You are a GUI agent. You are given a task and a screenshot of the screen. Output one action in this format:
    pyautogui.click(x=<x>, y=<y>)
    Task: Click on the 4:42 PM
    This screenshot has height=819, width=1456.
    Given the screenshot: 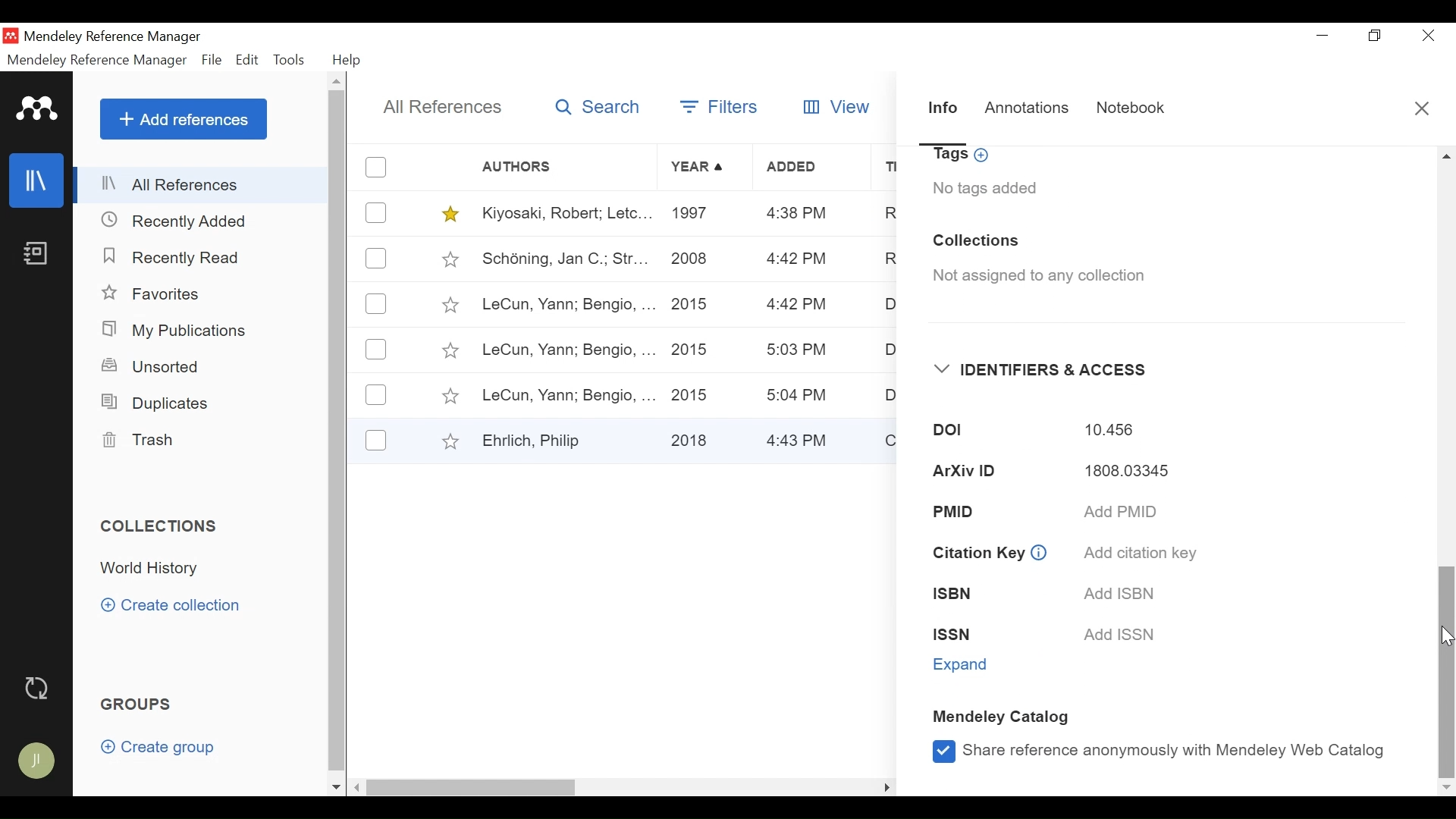 What is the action you would take?
    pyautogui.click(x=794, y=306)
    